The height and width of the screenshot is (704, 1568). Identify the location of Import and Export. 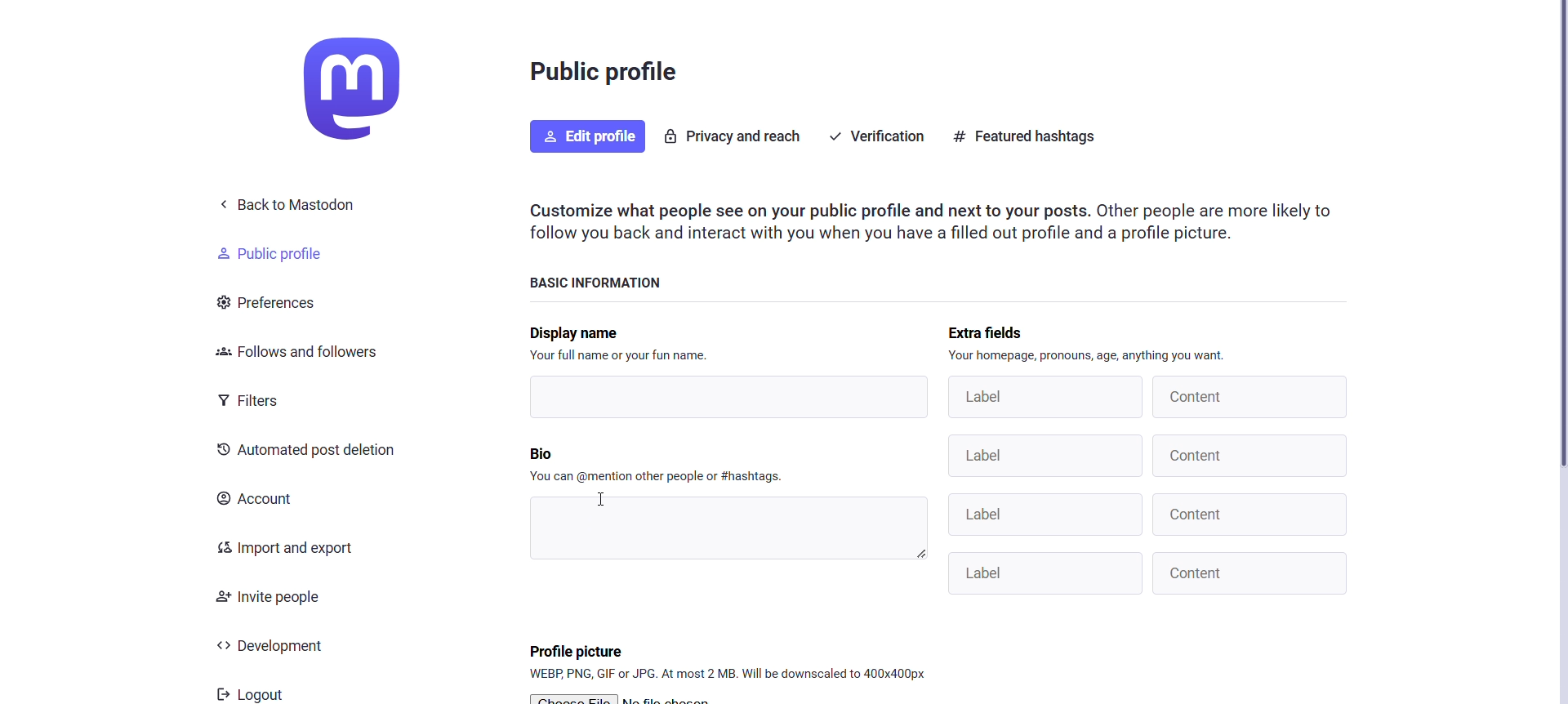
(289, 548).